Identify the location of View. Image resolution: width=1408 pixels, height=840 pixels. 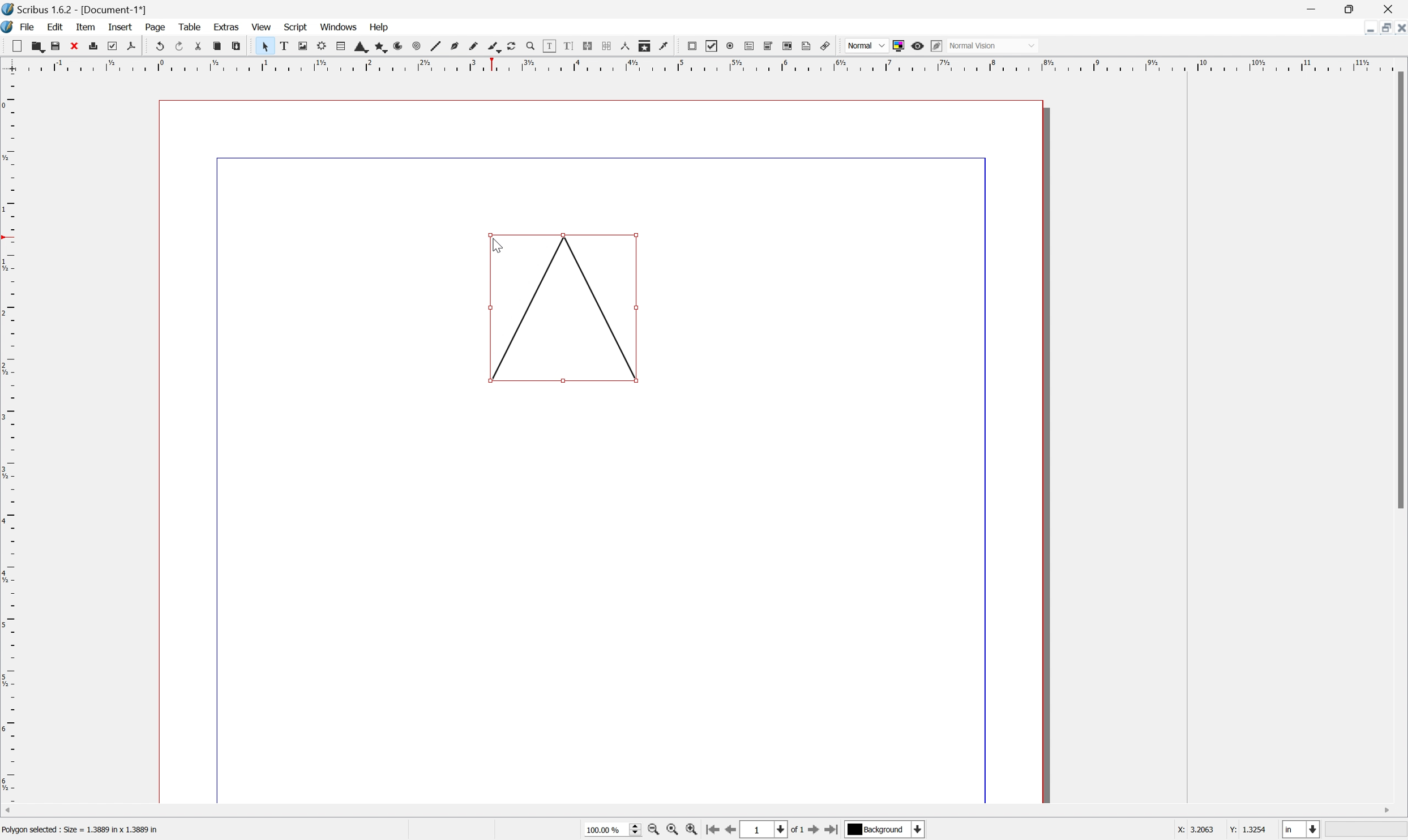
(263, 27).